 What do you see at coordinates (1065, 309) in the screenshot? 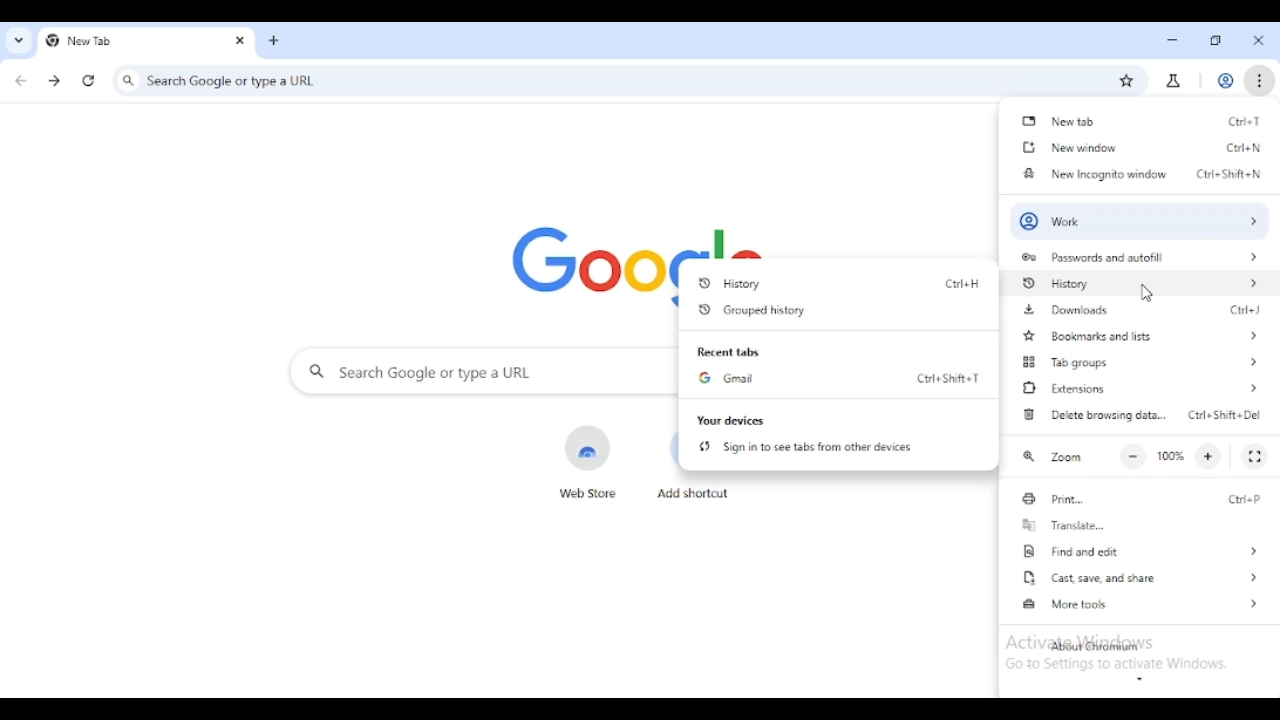
I see `downloads` at bounding box center [1065, 309].